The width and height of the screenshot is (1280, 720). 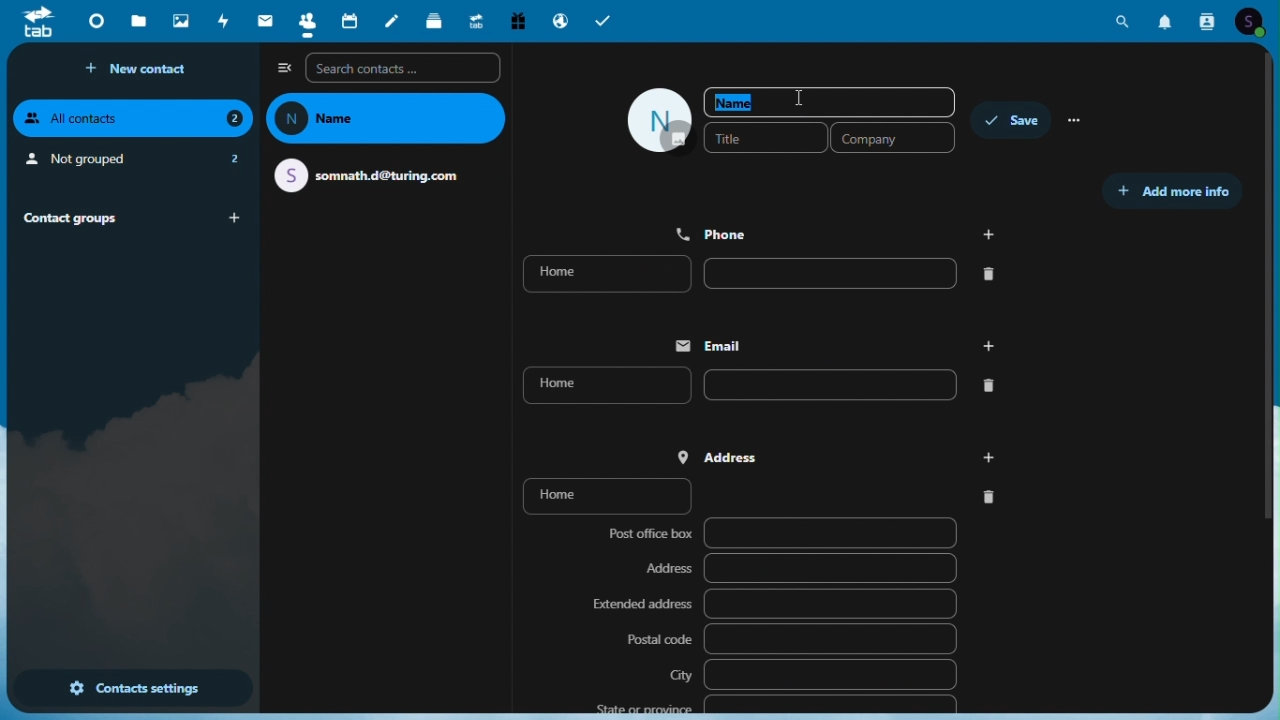 What do you see at coordinates (1210, 22) in the screenshot?
I see `Contacts` at bounding box center [1210, 22].